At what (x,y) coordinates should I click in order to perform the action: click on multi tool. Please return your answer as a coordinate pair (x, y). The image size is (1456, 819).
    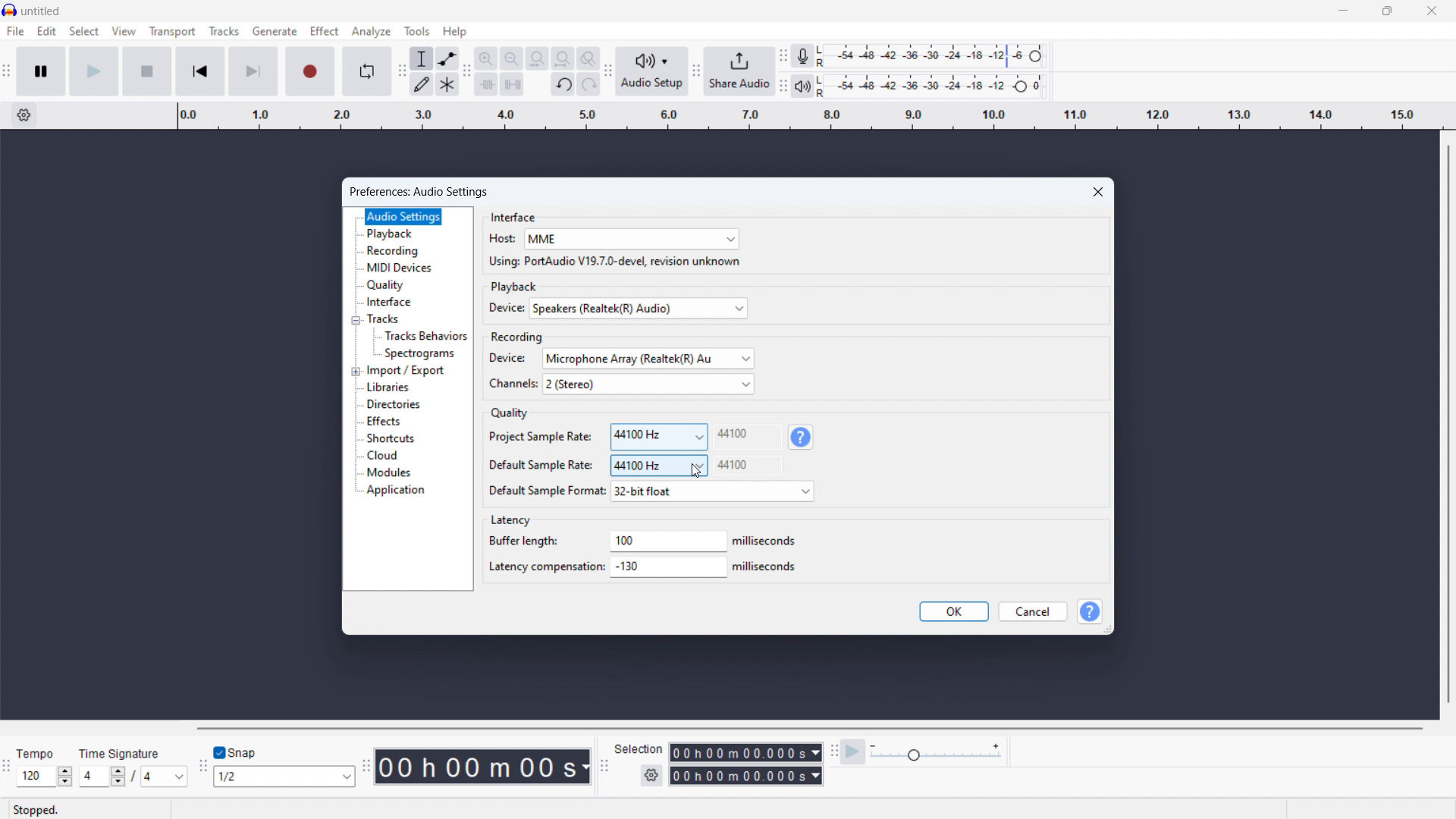
    Looking at the image, I should click on (447, 84).